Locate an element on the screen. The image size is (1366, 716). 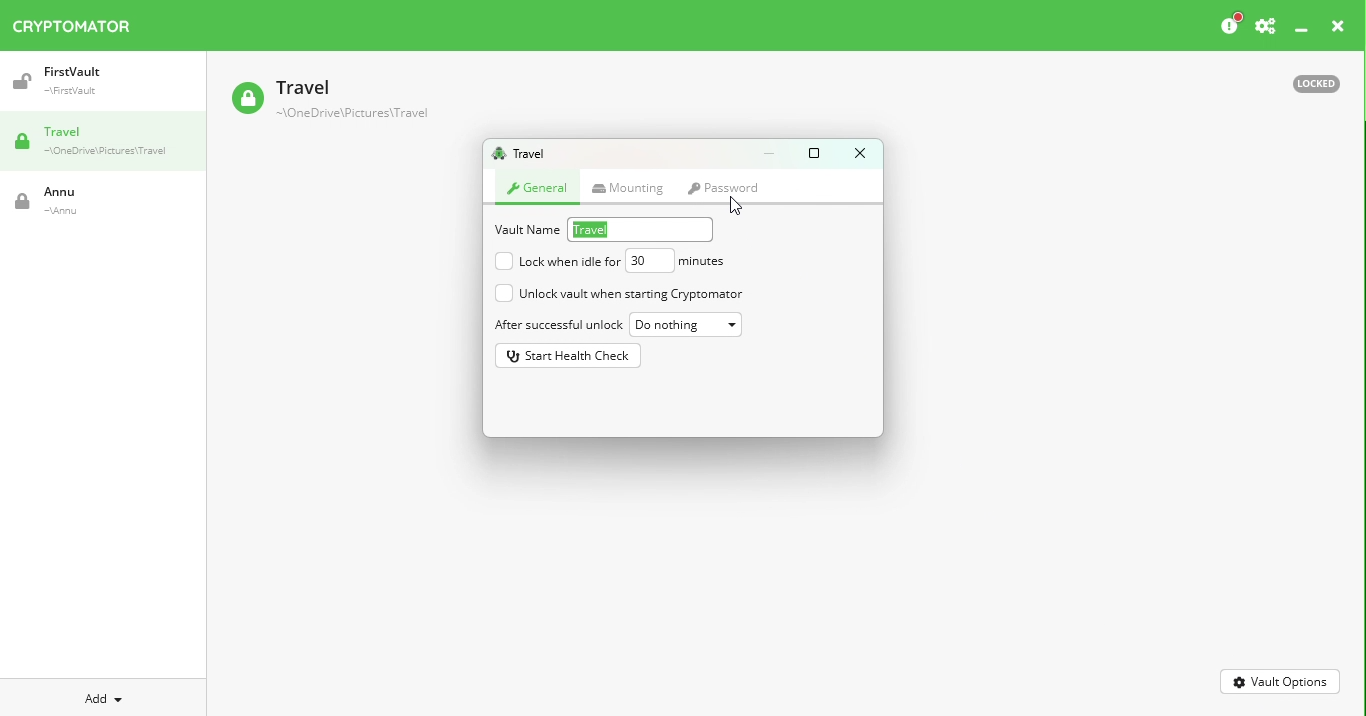
Vault is located at coordinates (329, 101).